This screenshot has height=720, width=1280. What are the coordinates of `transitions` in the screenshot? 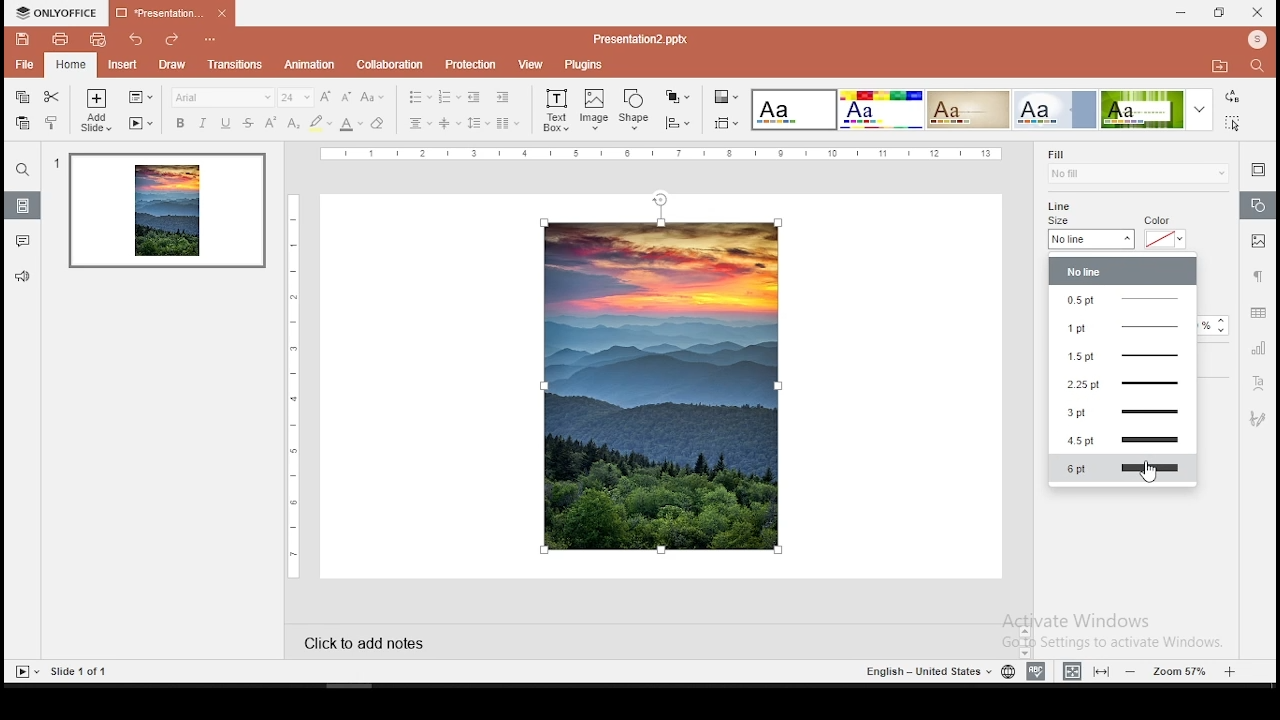 It's located at (235, 66).